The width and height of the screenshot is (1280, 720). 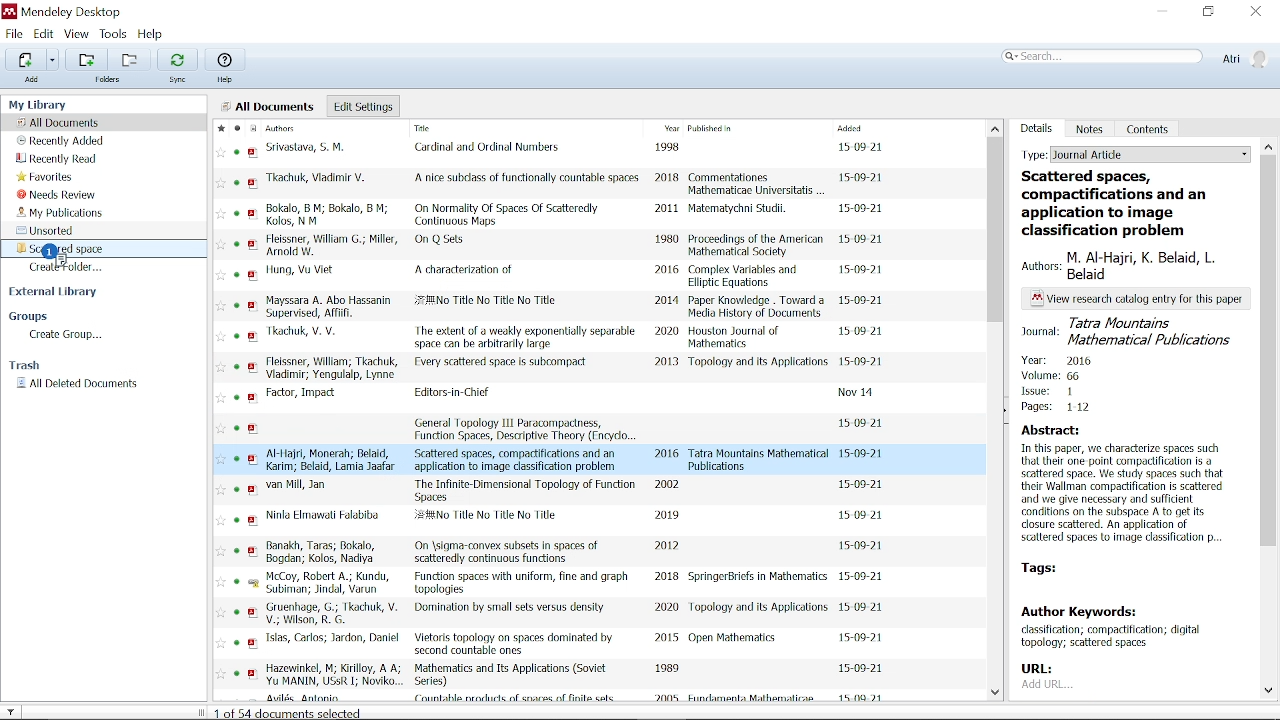 I want to click on Topology and its Applications, so click(x=758, y=366).